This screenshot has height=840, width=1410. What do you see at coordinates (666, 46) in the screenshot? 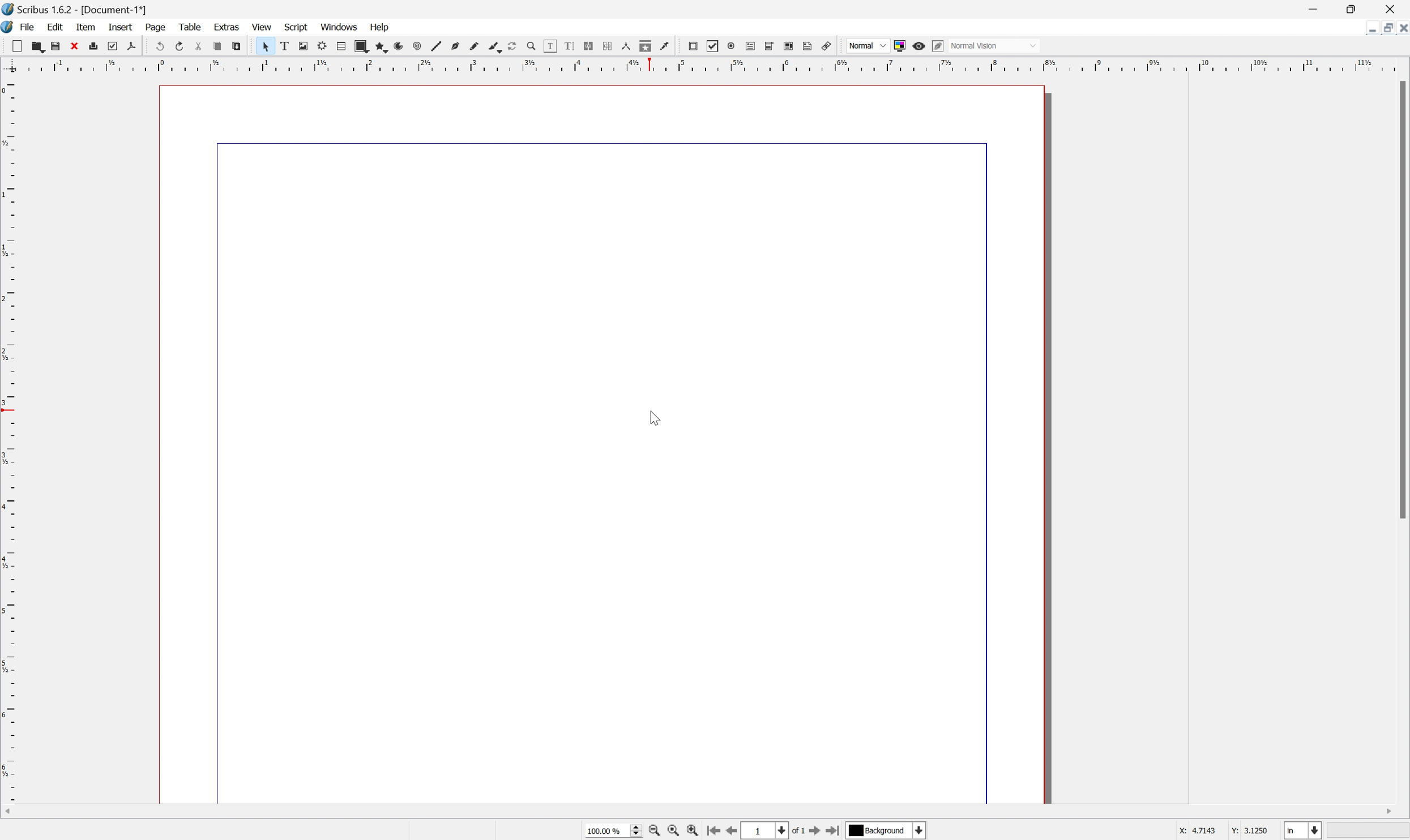
I see `Eye dropper` at bounding box center [666, 46].